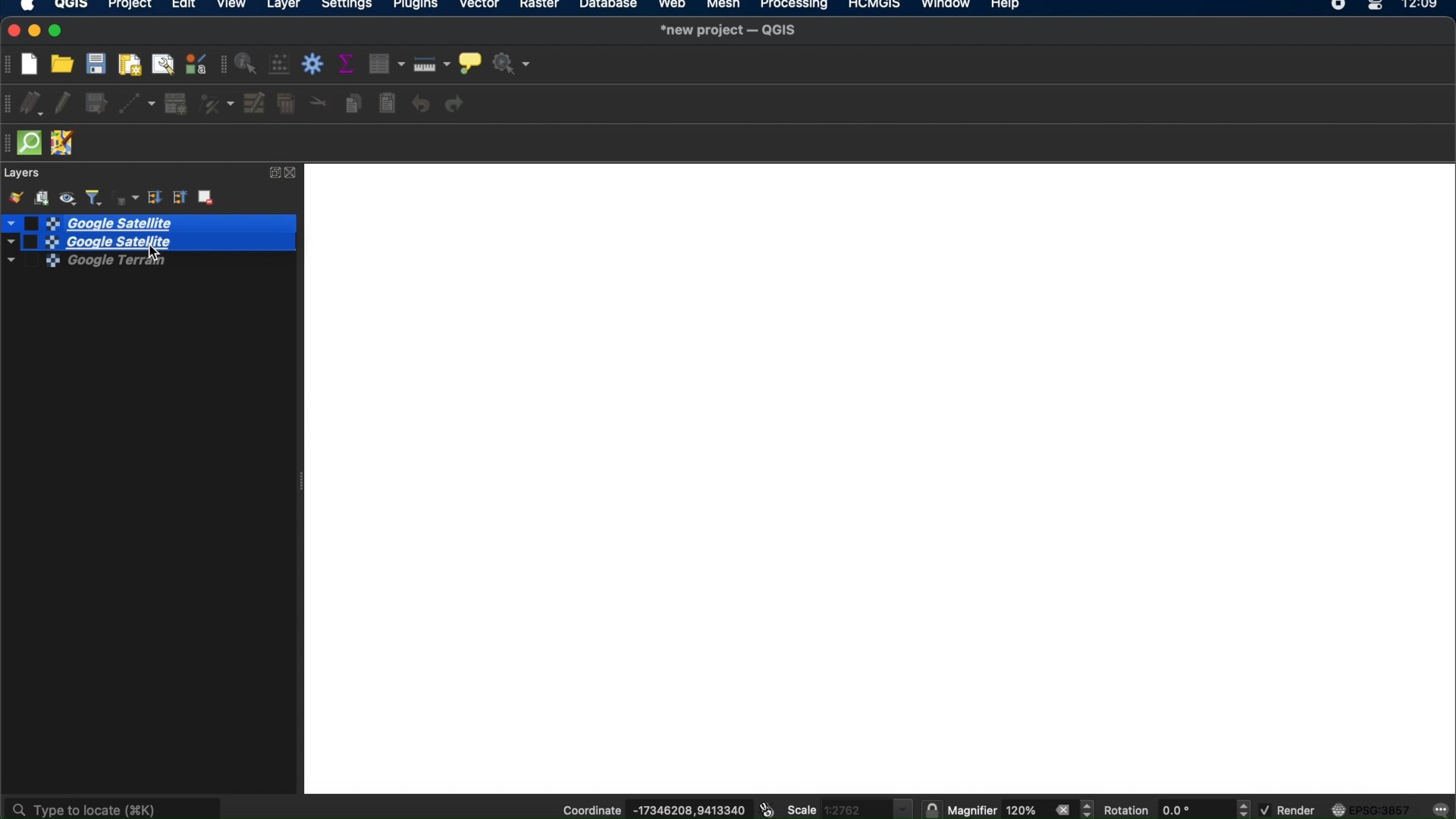 Image resolution: width=1456 pixels, height=819 pixels. Describe the element at coordinates (248, 64) in the screenshot. I see `identify features` at that location.